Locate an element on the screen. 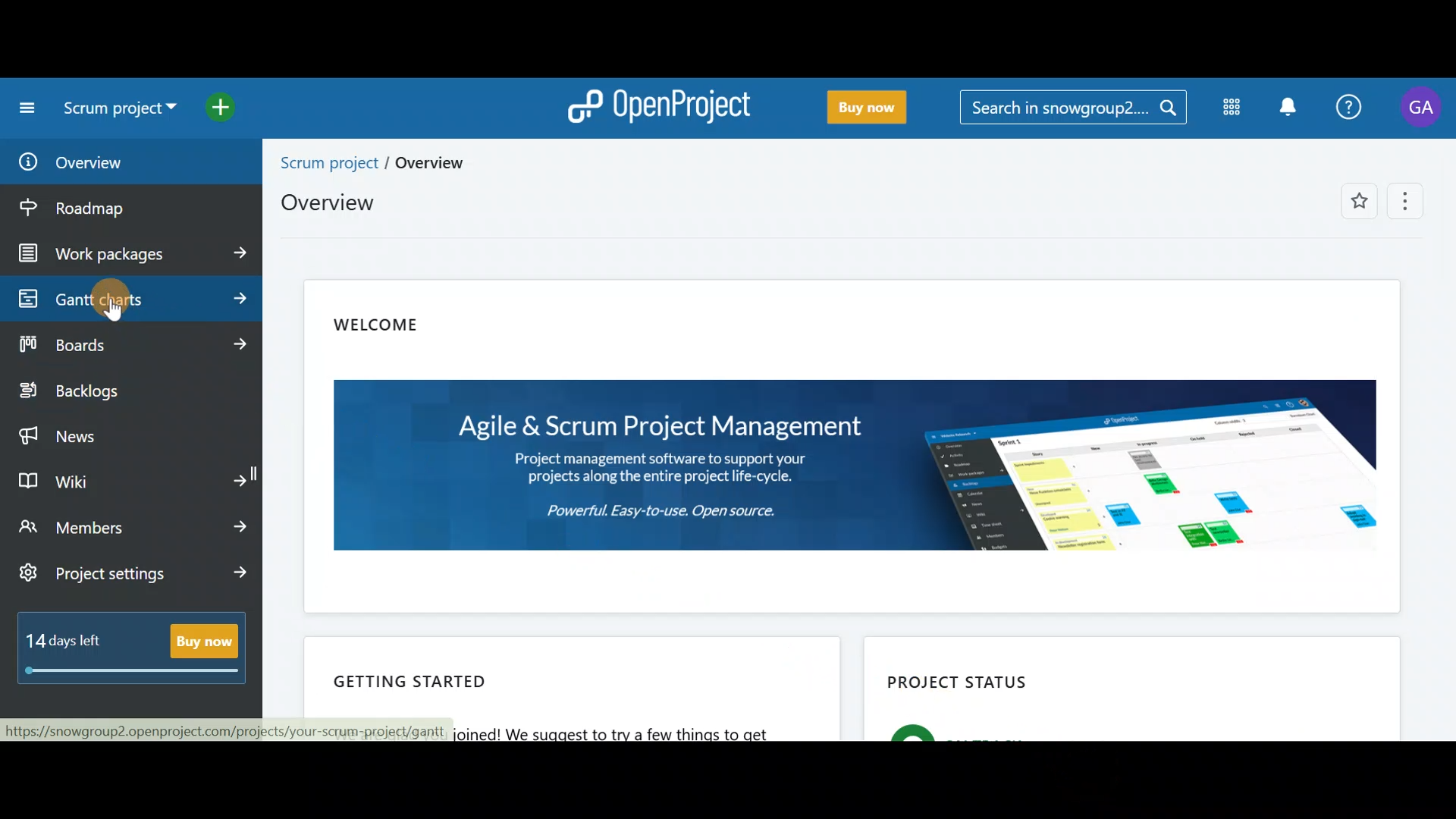  Welcome note is located at coordinates (861, 450).